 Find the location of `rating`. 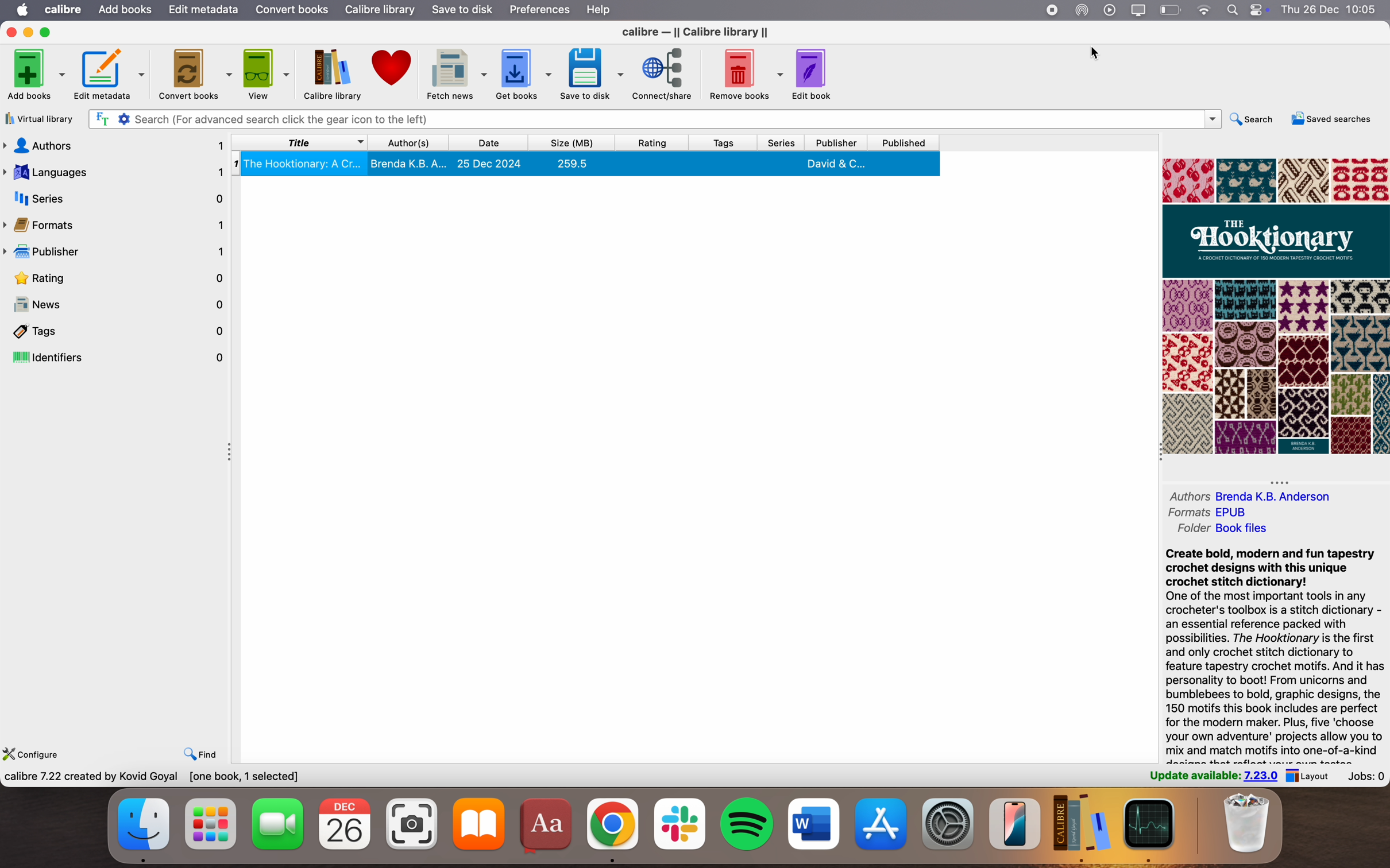

rating is located at coordinates (655, 142).